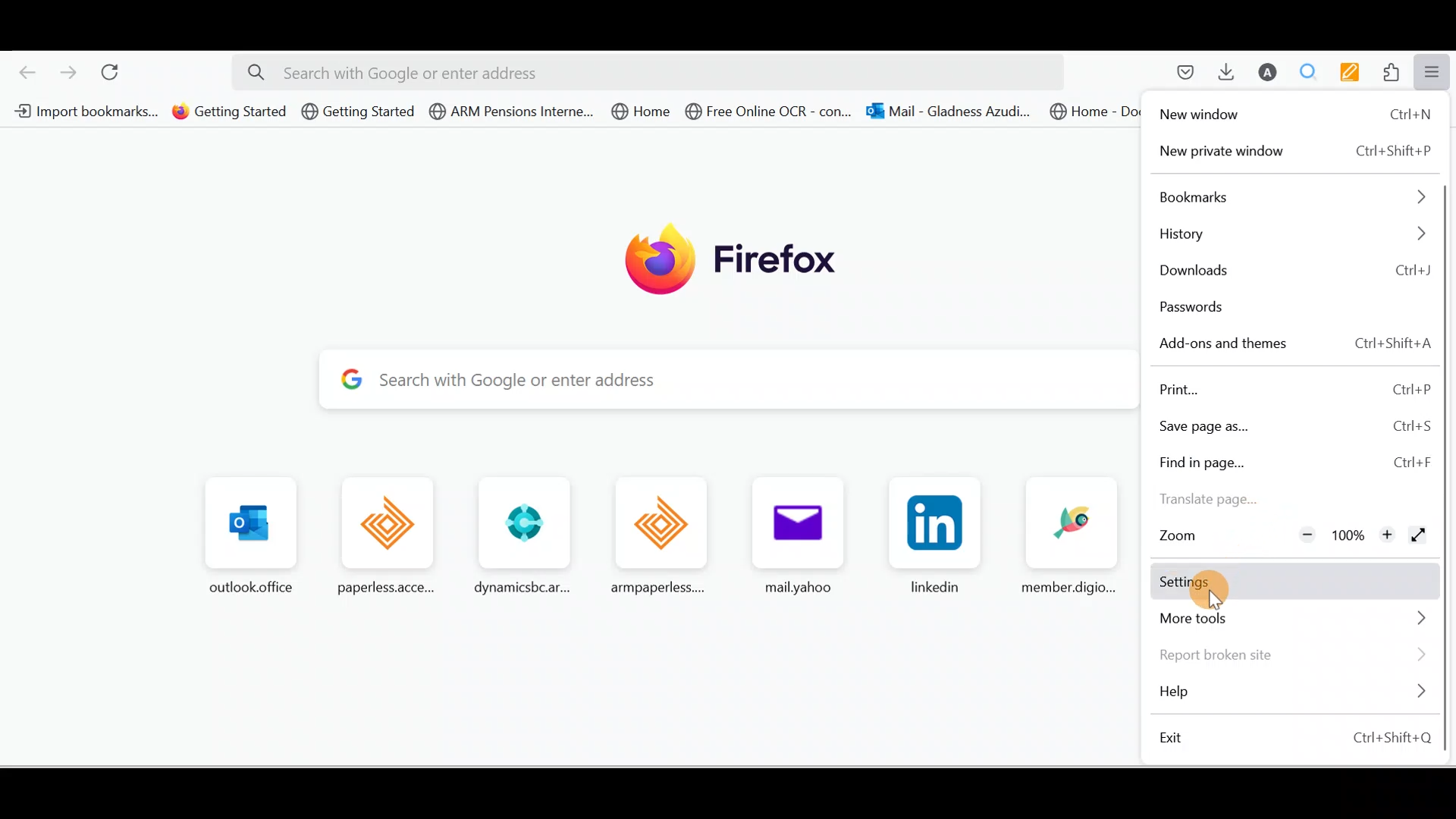 The width and height of the screenshot is (1456, 819). What do you see at coordinates (1291, 152) in the screenshot?
I see `New private window  Ctrl+Shift+P` at bounding box center [1291, 152].